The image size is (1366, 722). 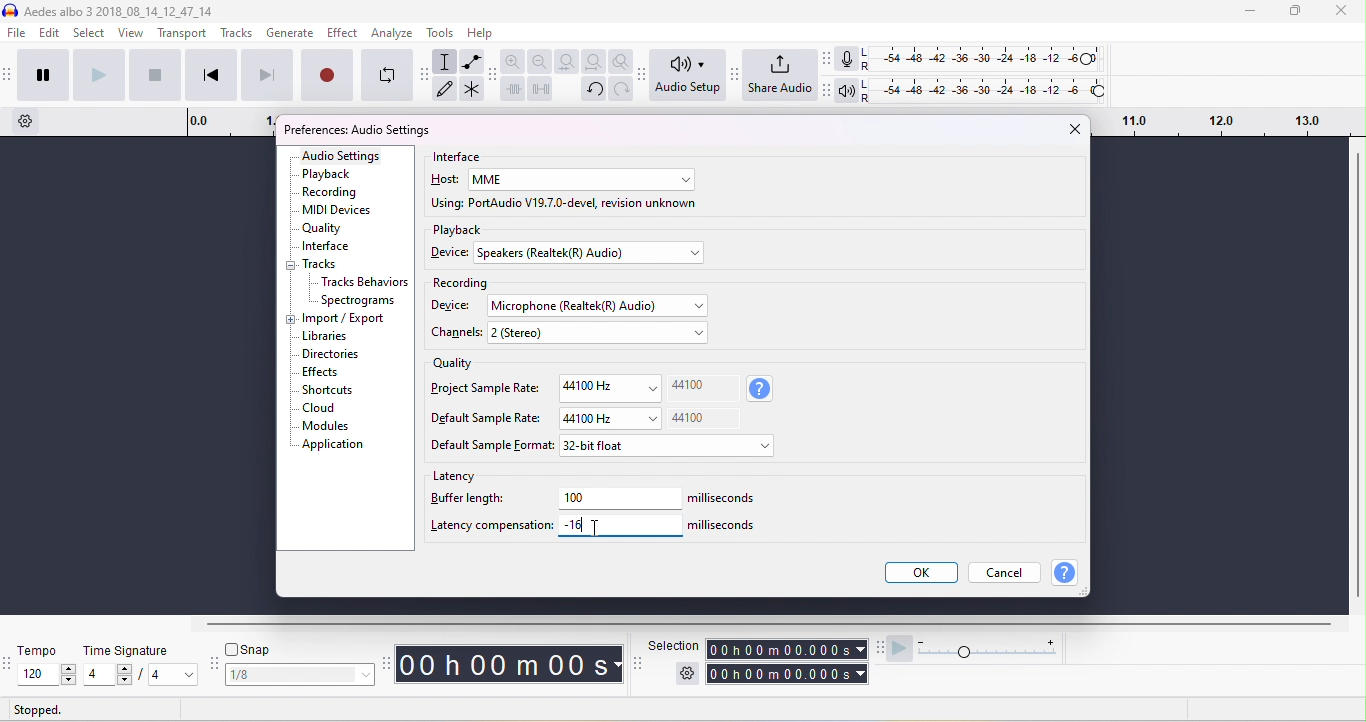 I want to click on preferences audio settings, so click(x=356, y=130).